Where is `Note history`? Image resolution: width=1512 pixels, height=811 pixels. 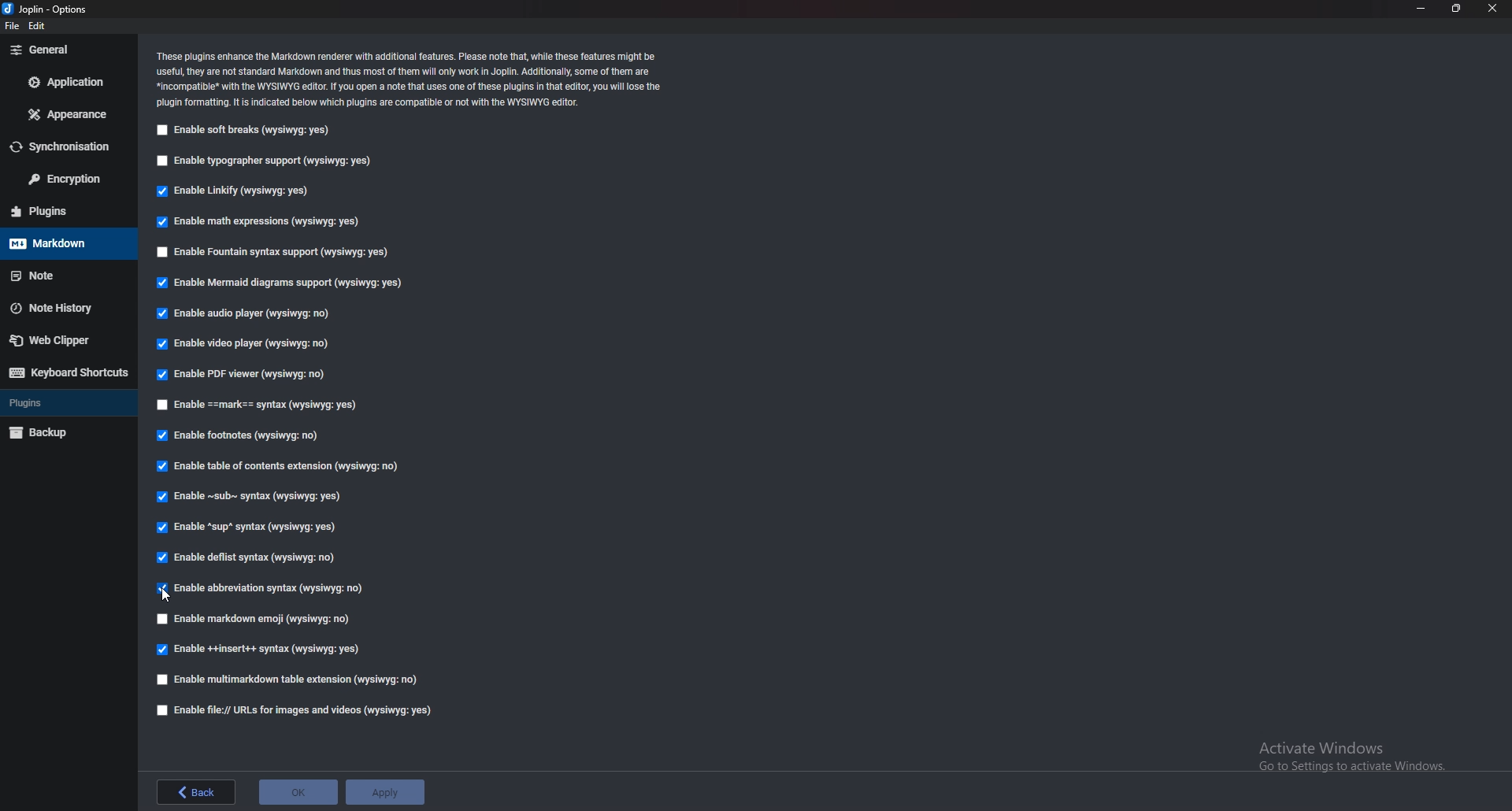 Note history is located at coordinates (70, 307).